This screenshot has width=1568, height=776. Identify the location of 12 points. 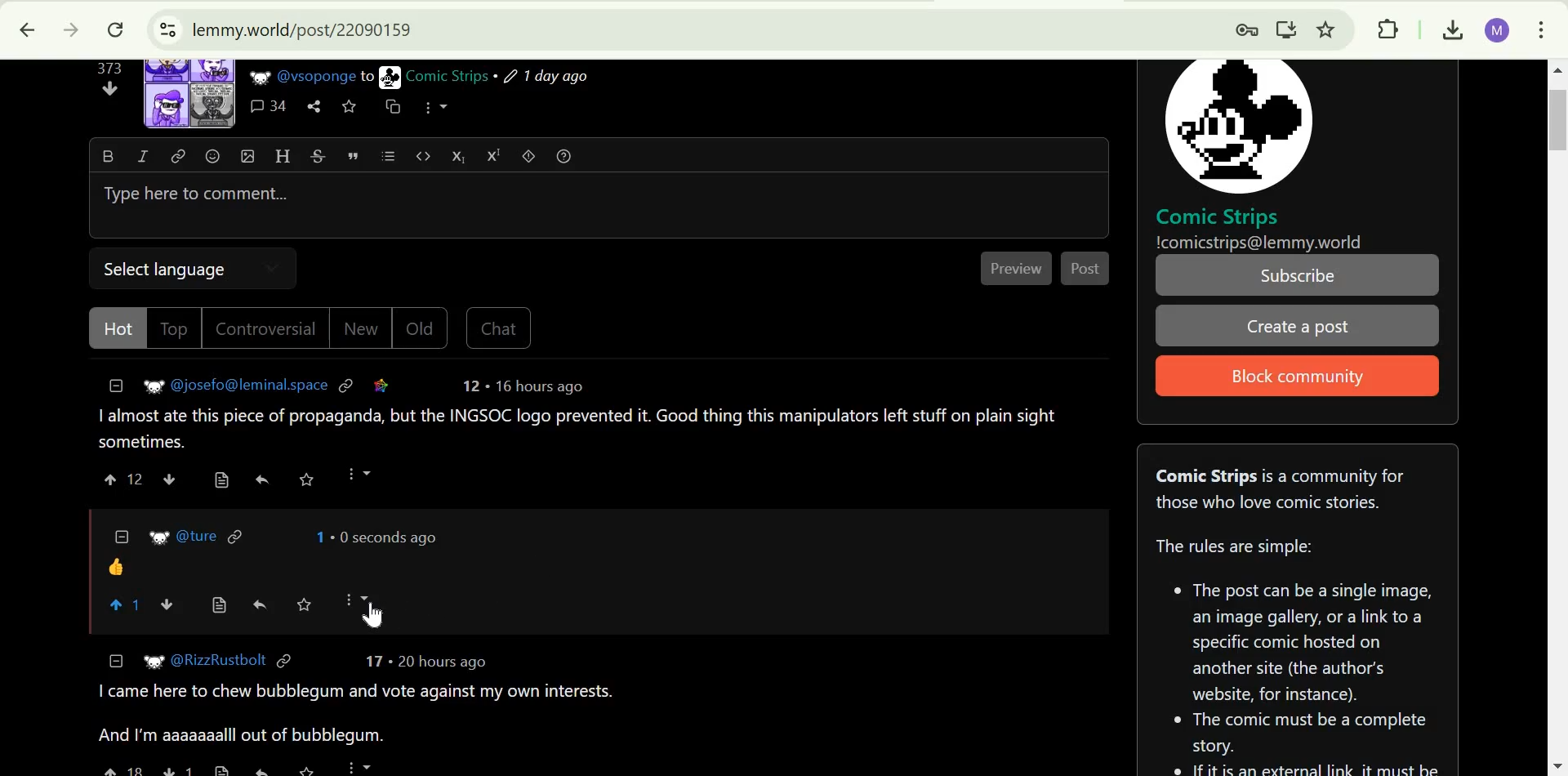
(470, 386).